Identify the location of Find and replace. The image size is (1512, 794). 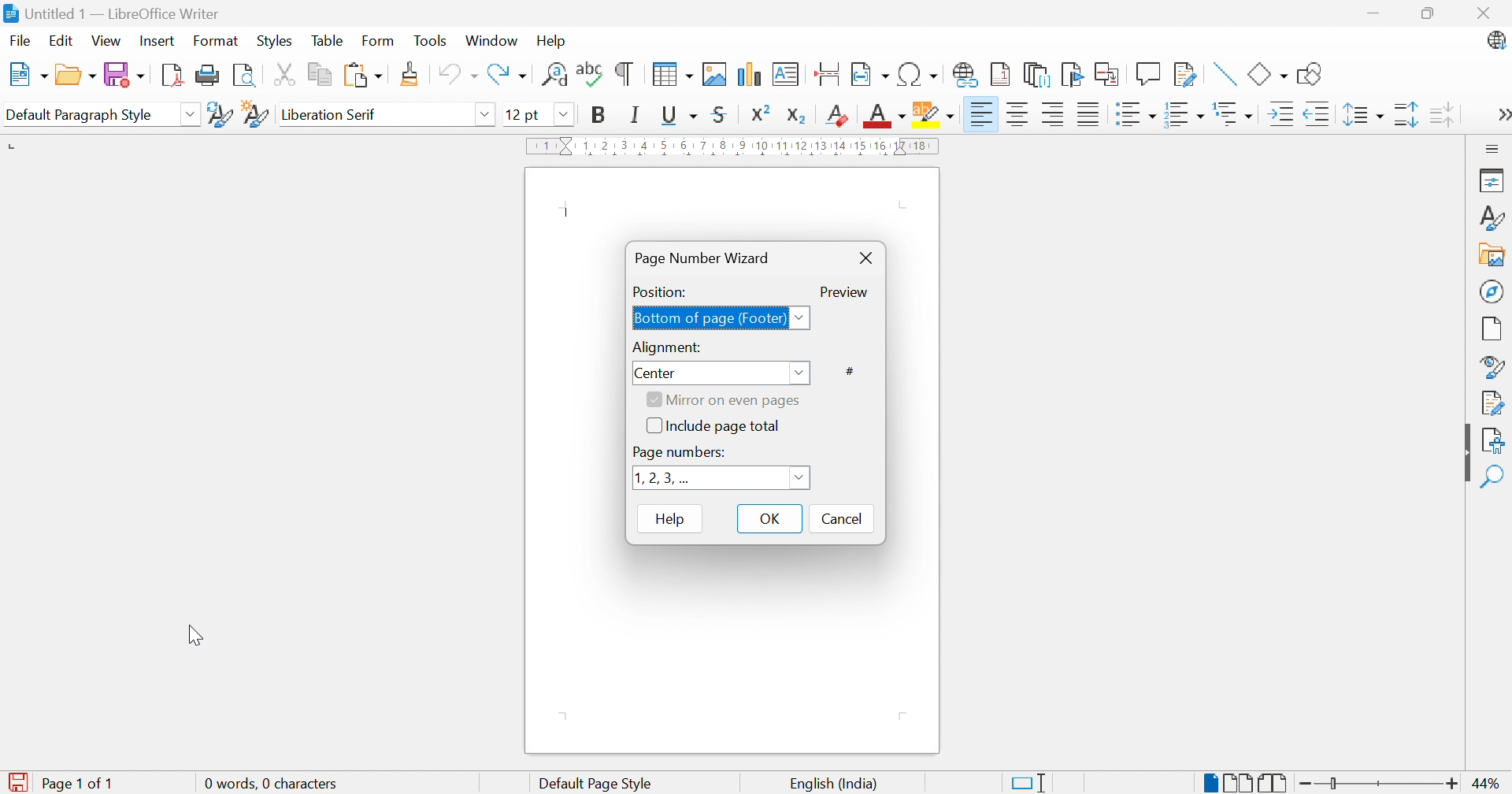
(552, 76).